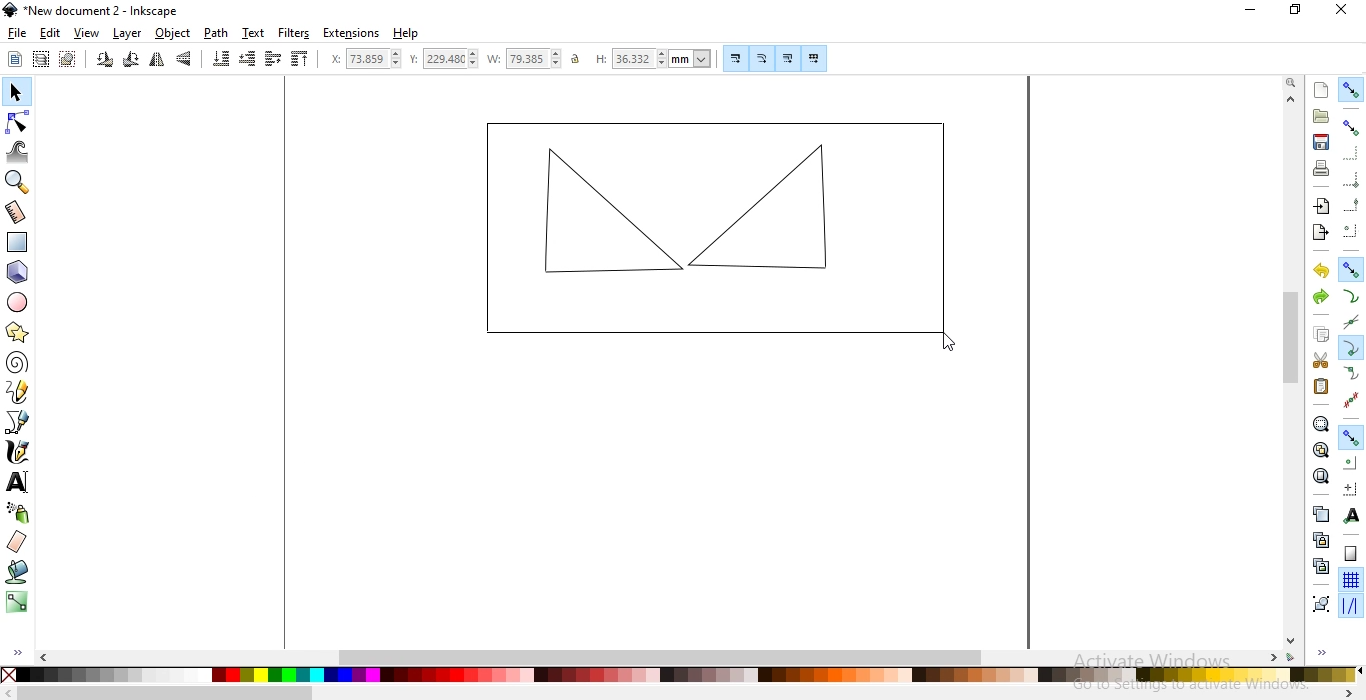 This screenshot has width=1366, height=700. I want to click on select and transform objects, so click(15, 92).